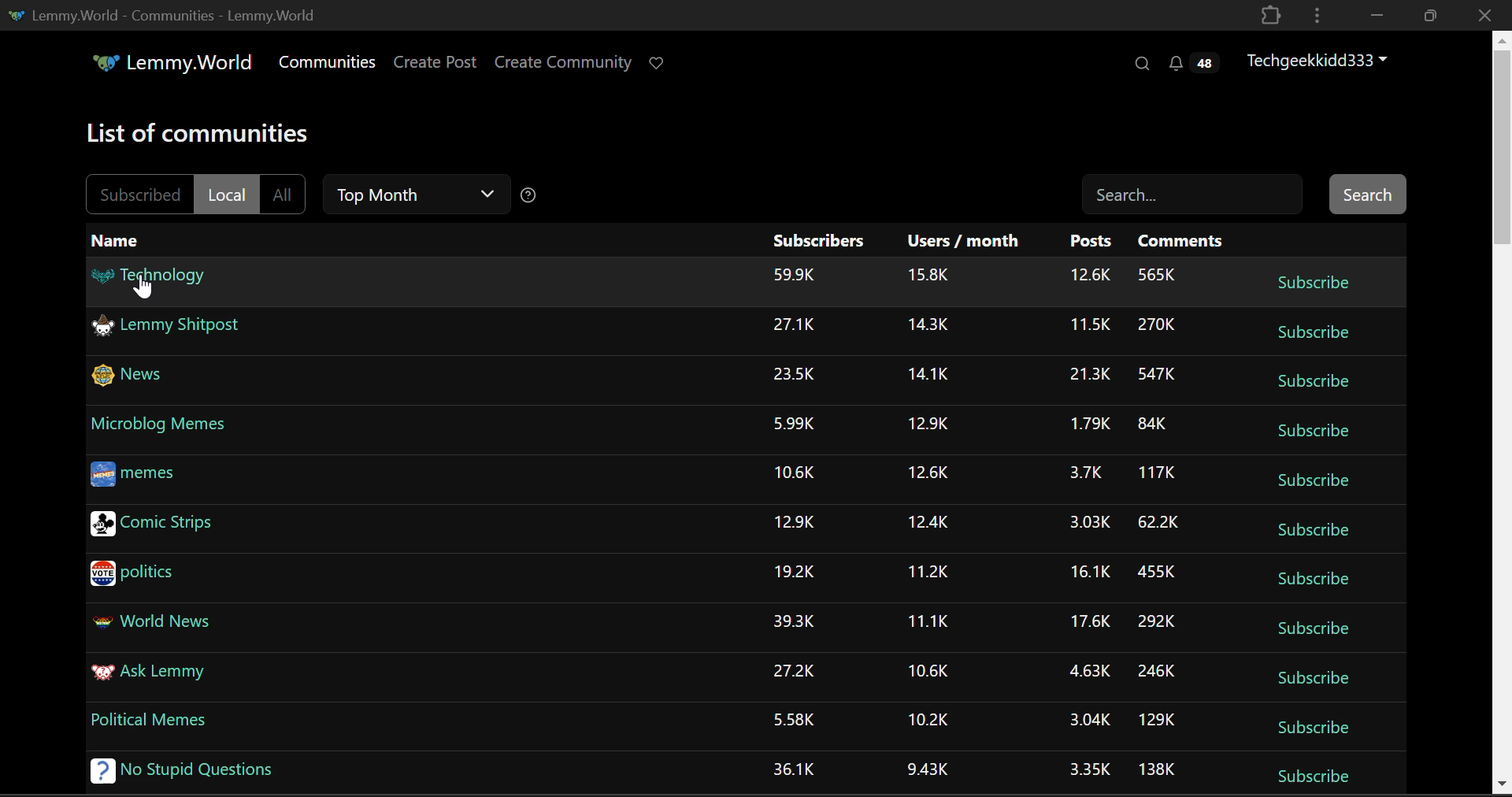 This screenshot has height=797, width=1512. I want to click on Amount, so click(928, 721).